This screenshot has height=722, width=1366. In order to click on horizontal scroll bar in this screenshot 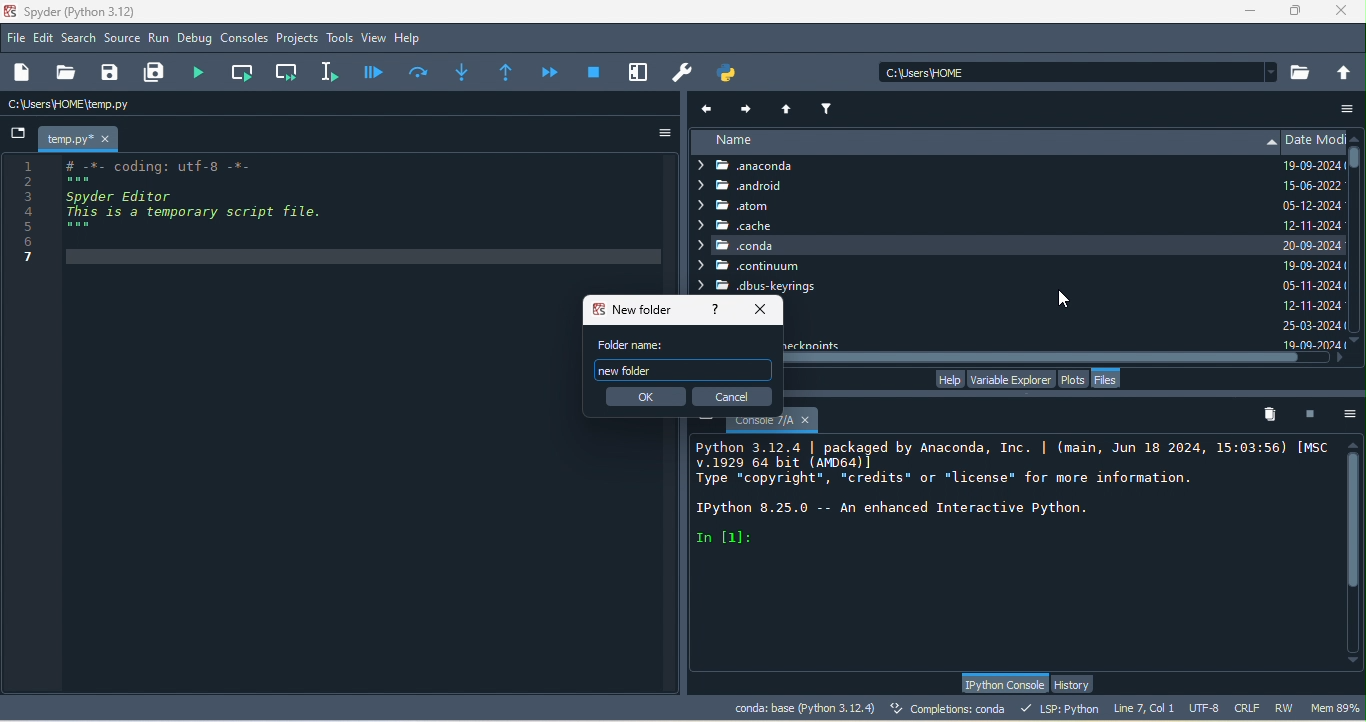, I will do `click(1062, 358)`.